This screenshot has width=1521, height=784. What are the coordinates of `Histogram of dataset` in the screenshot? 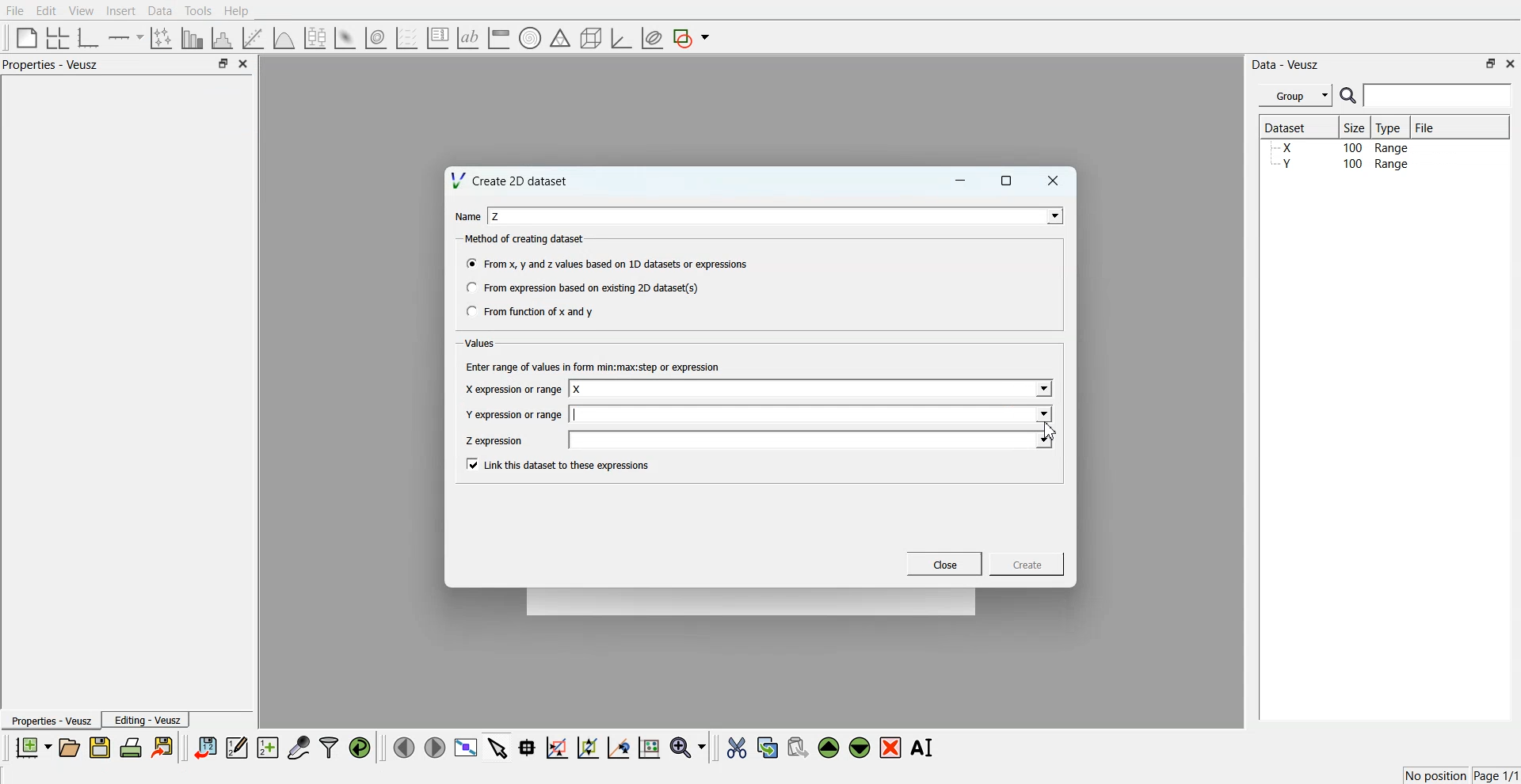 It's located at (220, 39).